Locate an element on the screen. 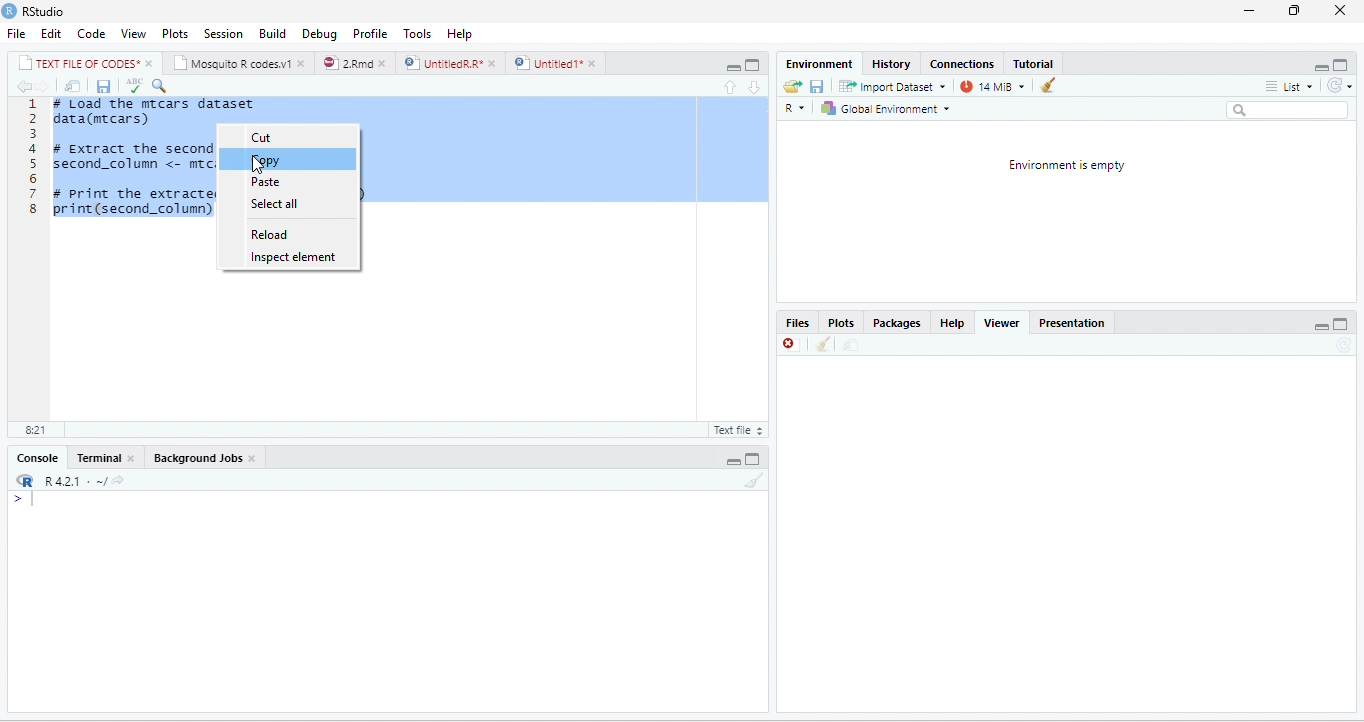 The height and width of the screenshot is (722, 1364). Files is located at coordinates (798, 324).